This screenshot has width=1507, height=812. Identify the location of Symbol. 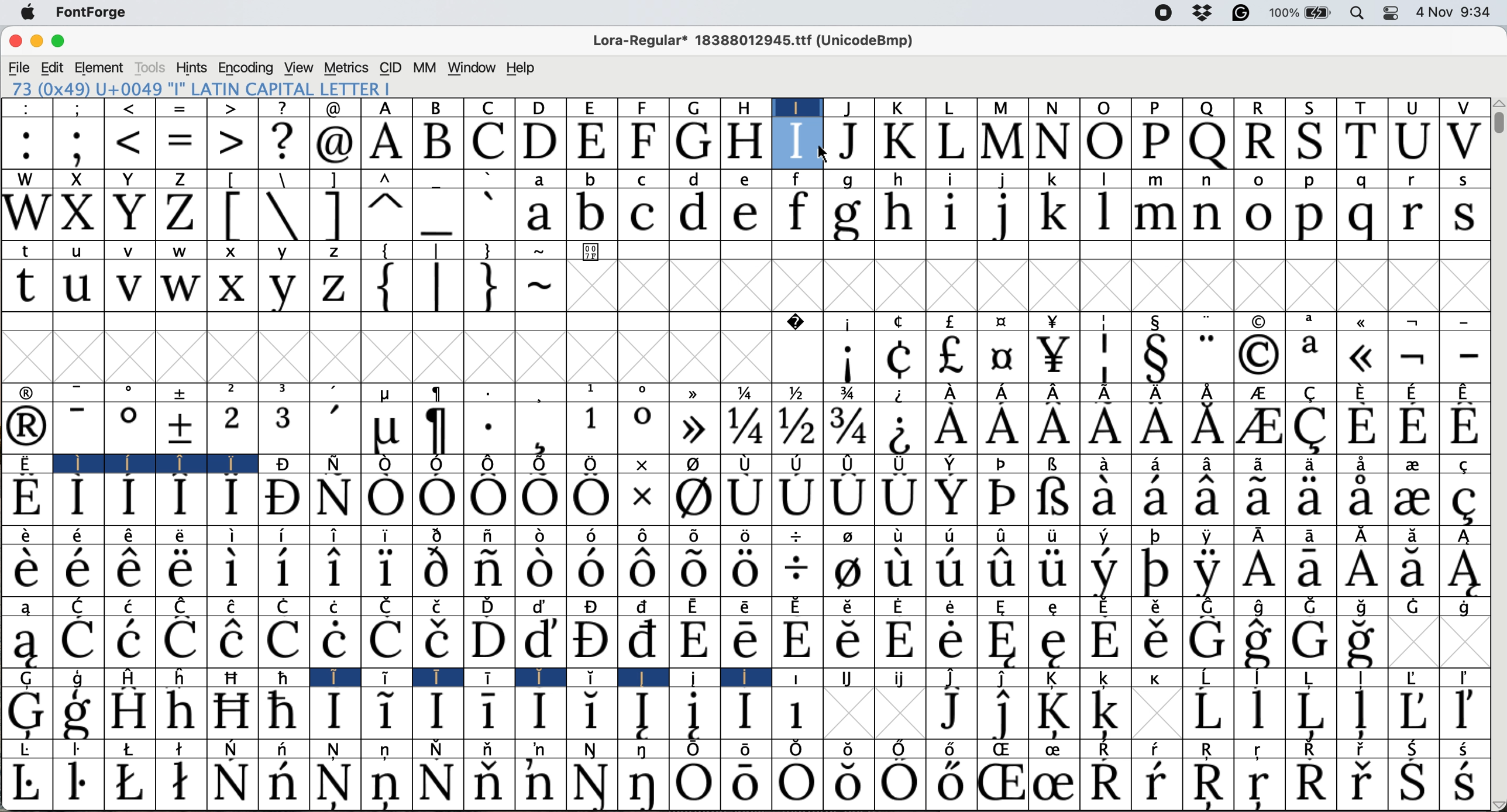
(1054, 711).